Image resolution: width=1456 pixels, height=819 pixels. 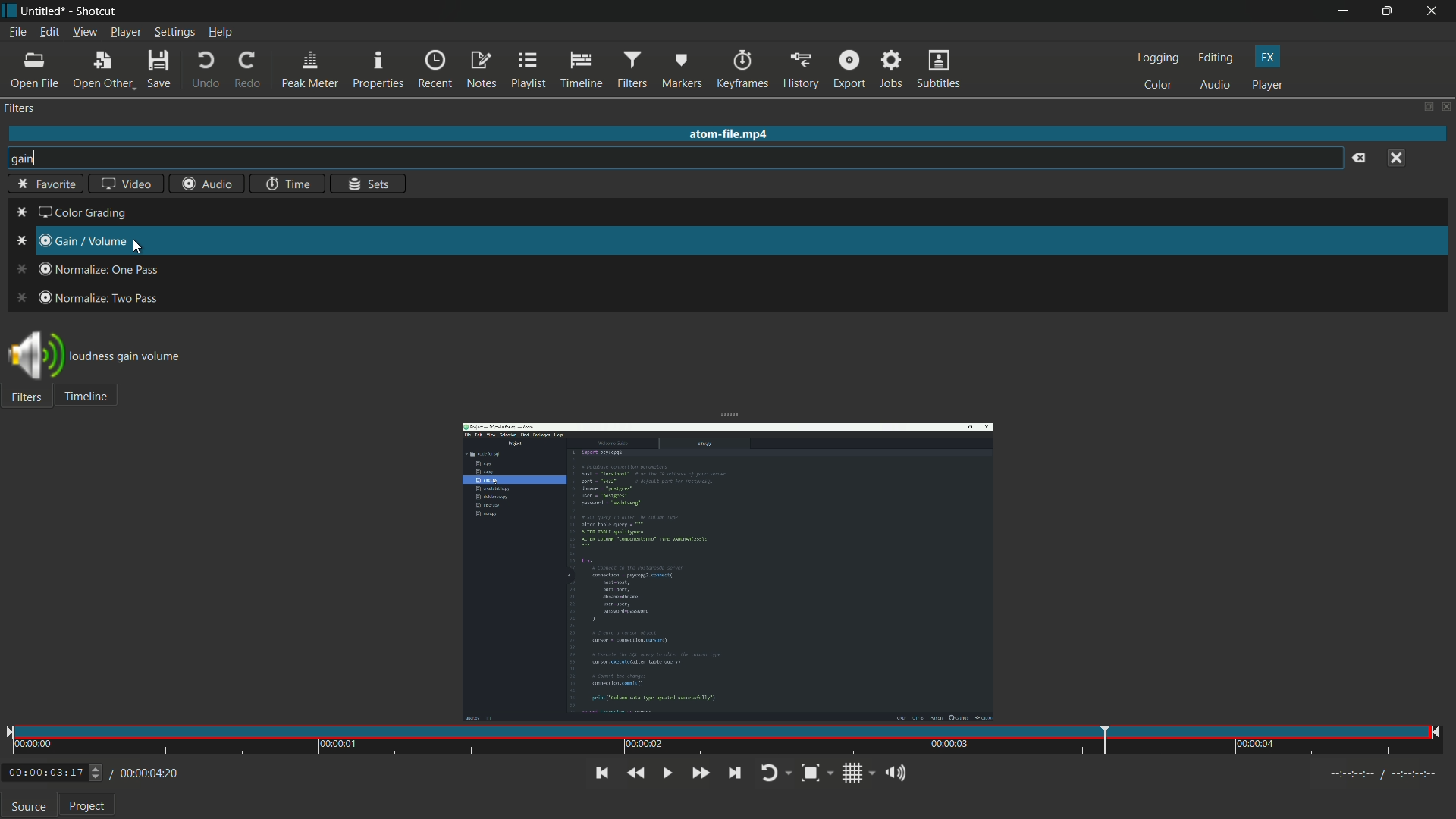 I want to click on atom-file.mp4 (imported video name), so click(x=732, y=135).